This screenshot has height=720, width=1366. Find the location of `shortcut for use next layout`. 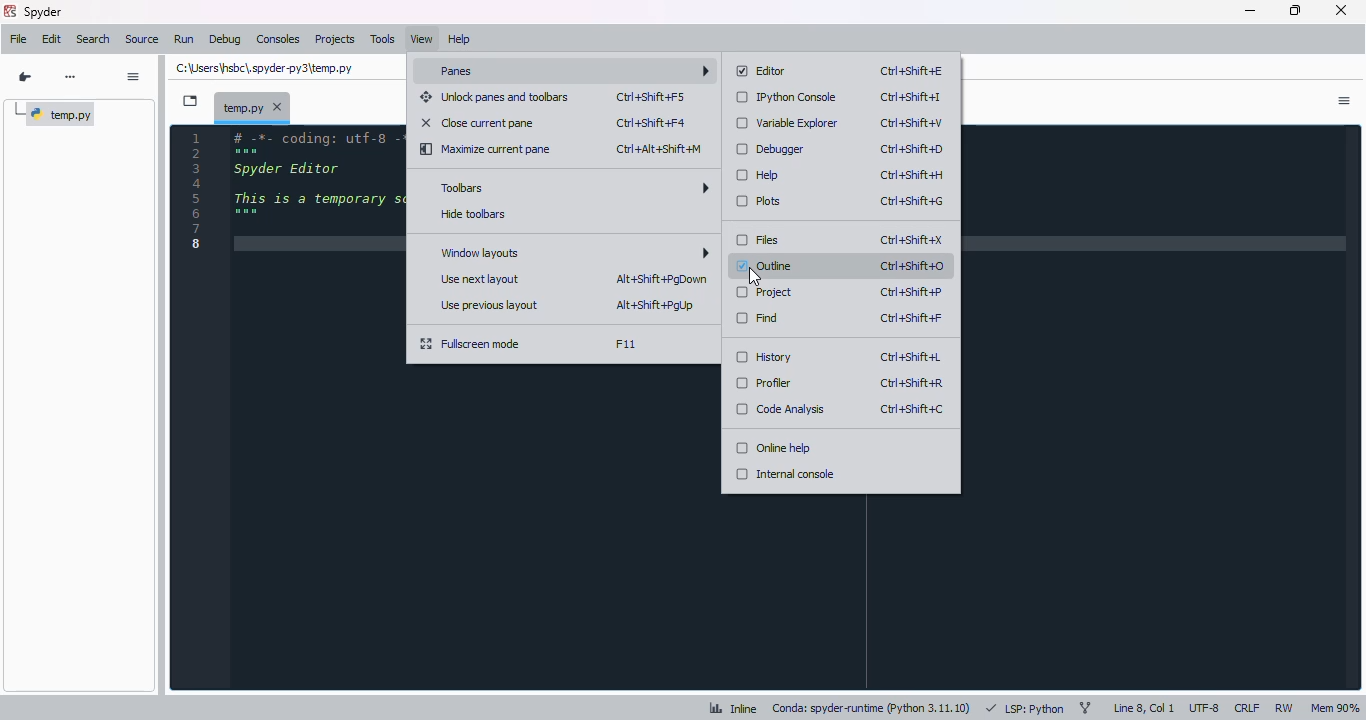

shortcut for use next layout is located at coordinates (660, 279).